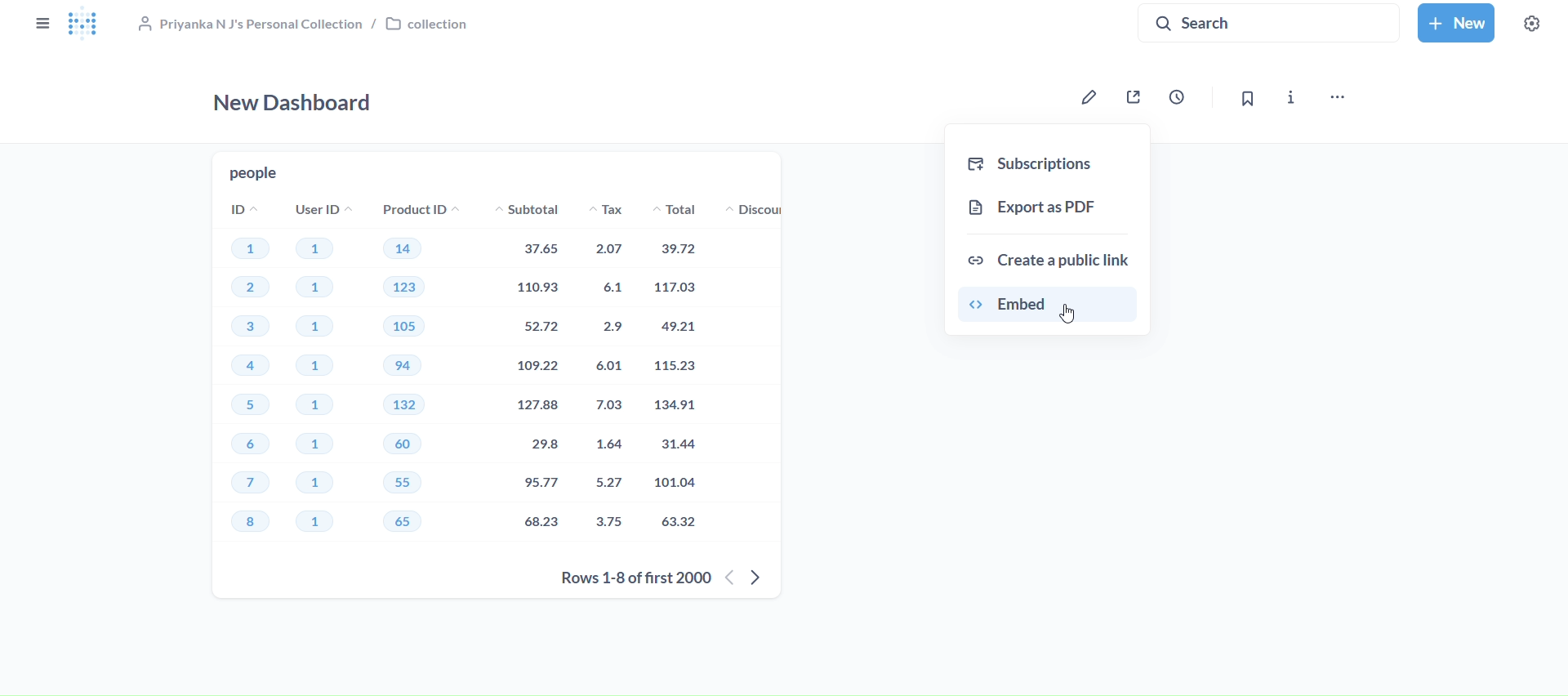  What do you see at coordinates (522, 371) in the screenshot?
I see `Subtotal` at bounding box center [522, 371].